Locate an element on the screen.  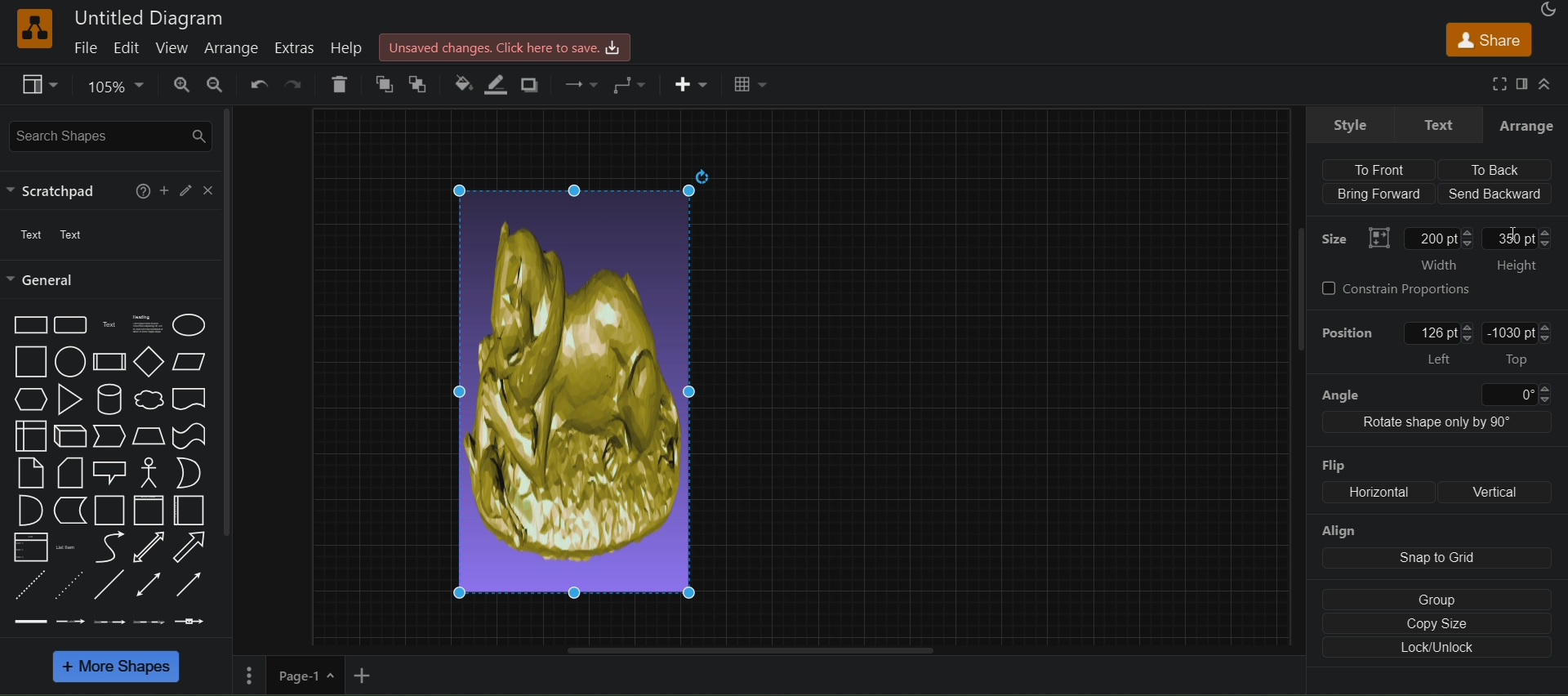
undo is located at coordinates (257, 86).